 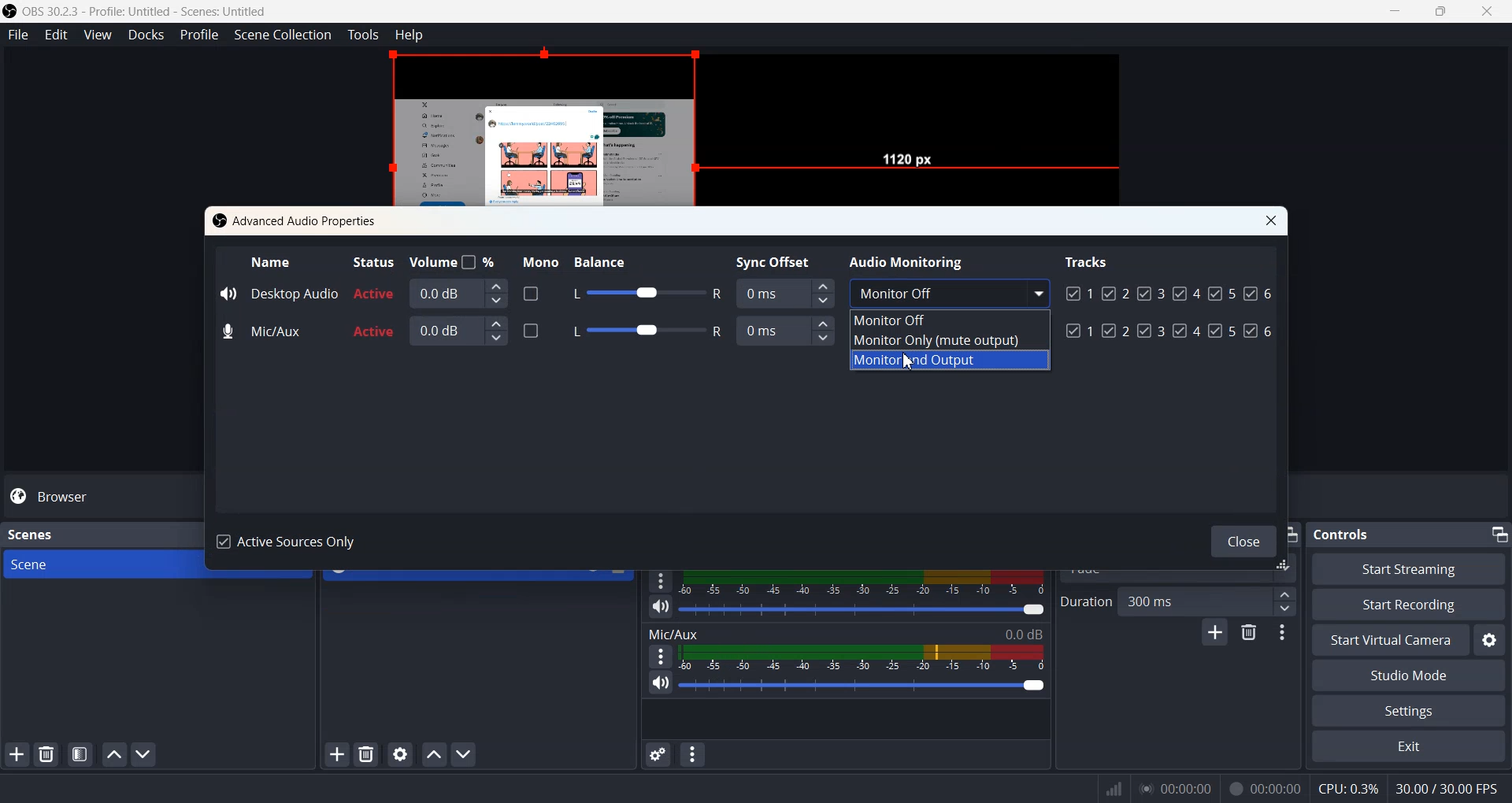 I want to click on Enable disable , so click(x=531, y=293).